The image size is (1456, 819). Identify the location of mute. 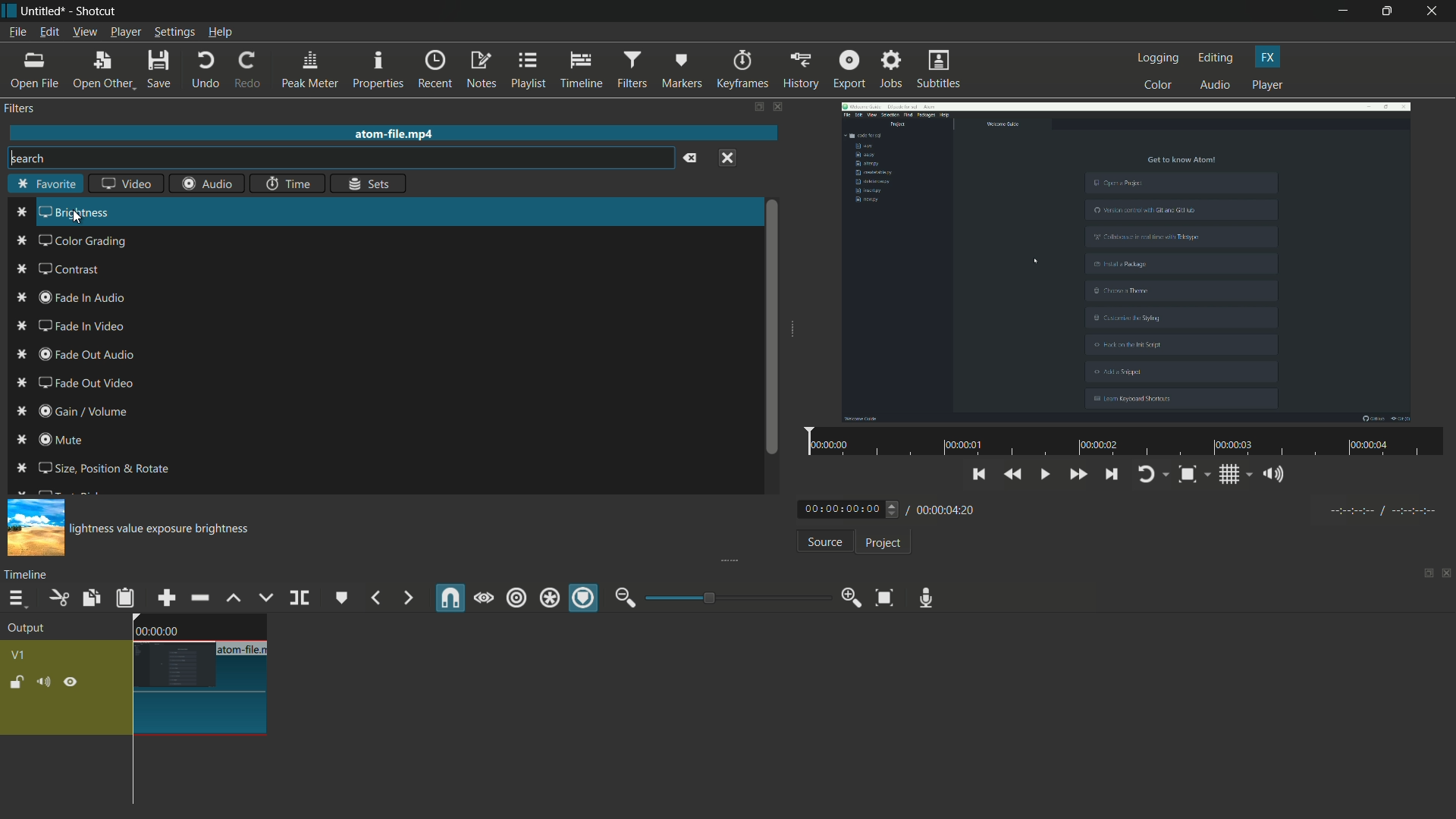
(46, 682).